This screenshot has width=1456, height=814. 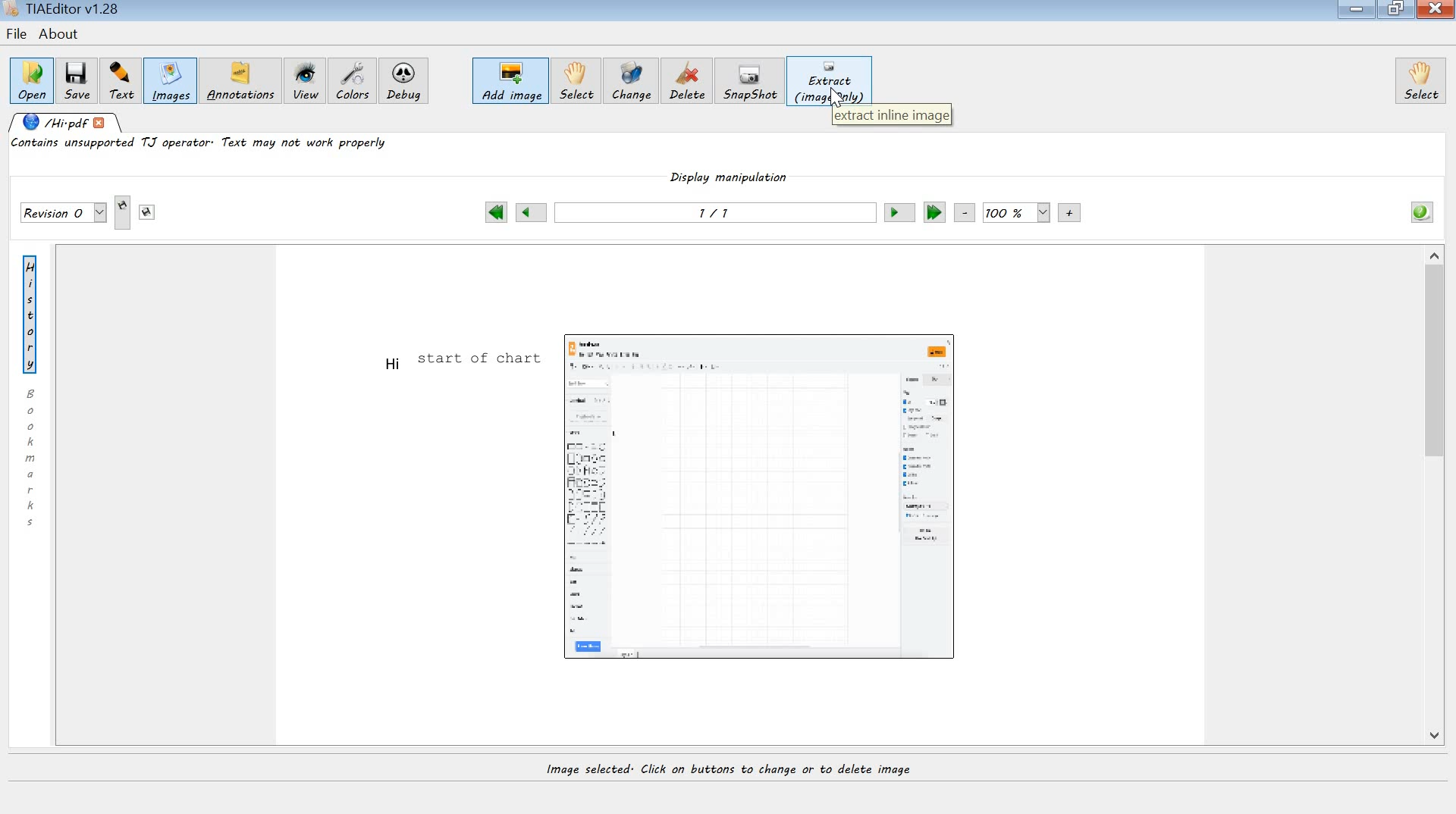 What do you see at coordinates (690, 83) in the screenshot?
I see `delete` at bounding box center [690, 83].